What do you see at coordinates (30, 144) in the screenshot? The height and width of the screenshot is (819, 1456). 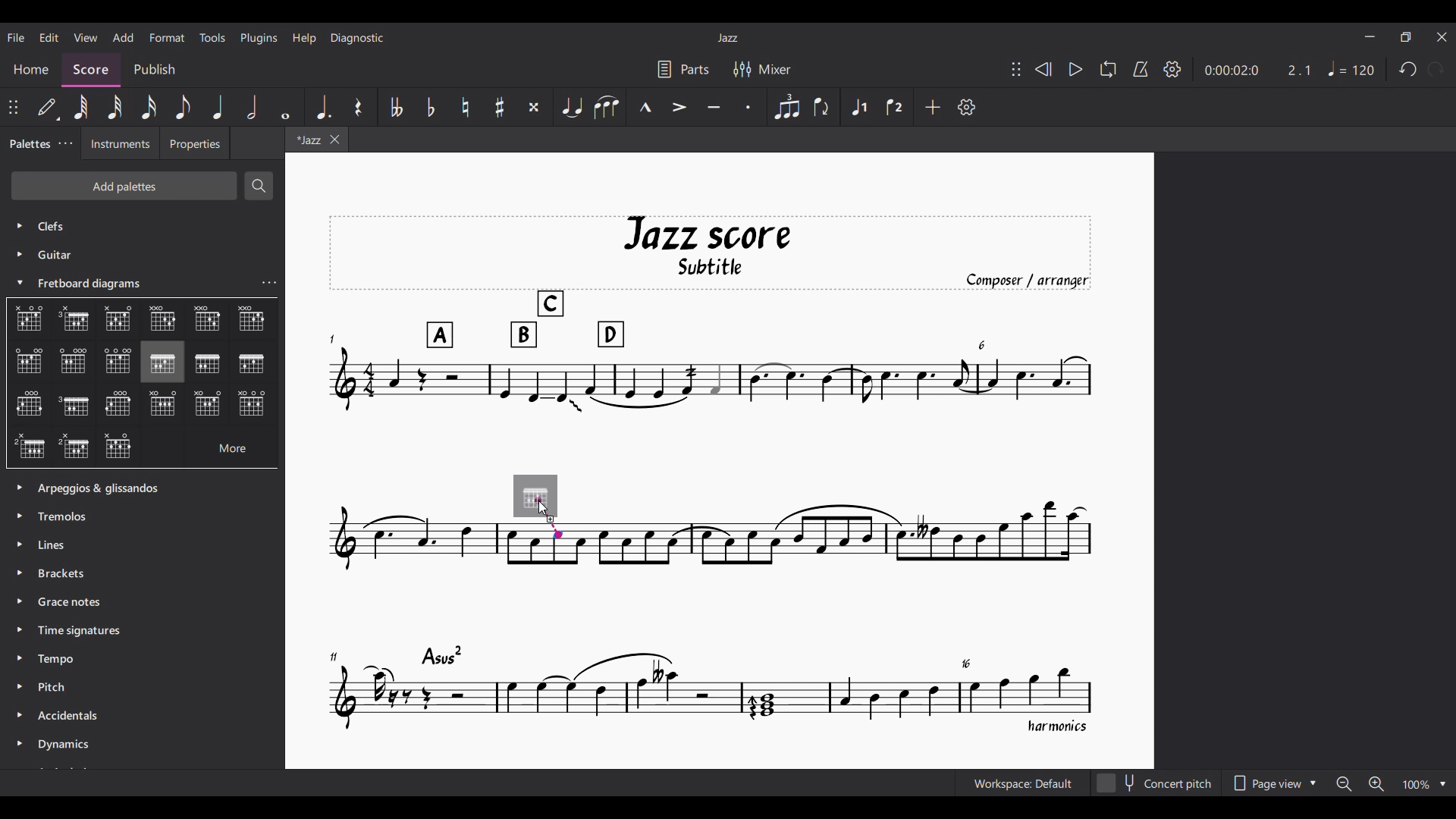 I see `Palettes, current selection` at bounding box center [30, 144].